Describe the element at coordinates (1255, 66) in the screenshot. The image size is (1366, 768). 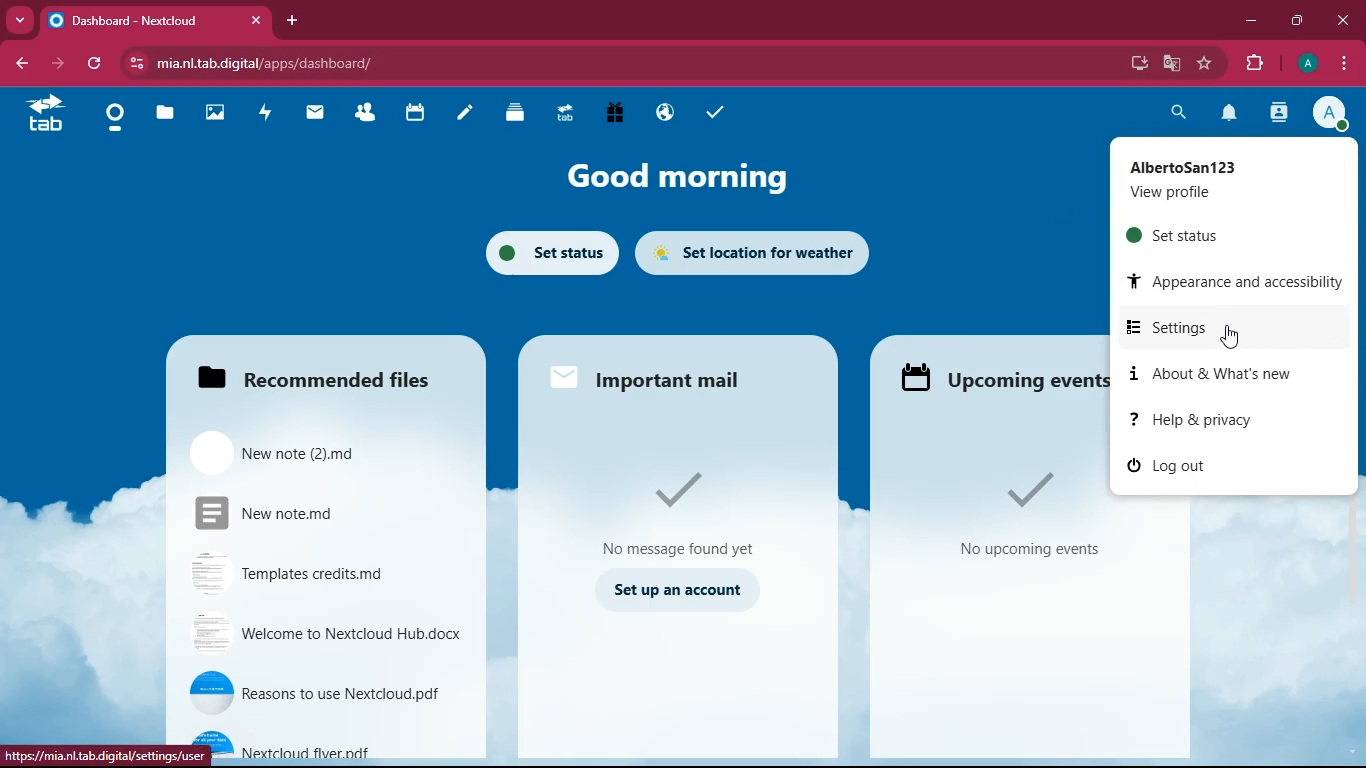
I see `extensions` at that location.